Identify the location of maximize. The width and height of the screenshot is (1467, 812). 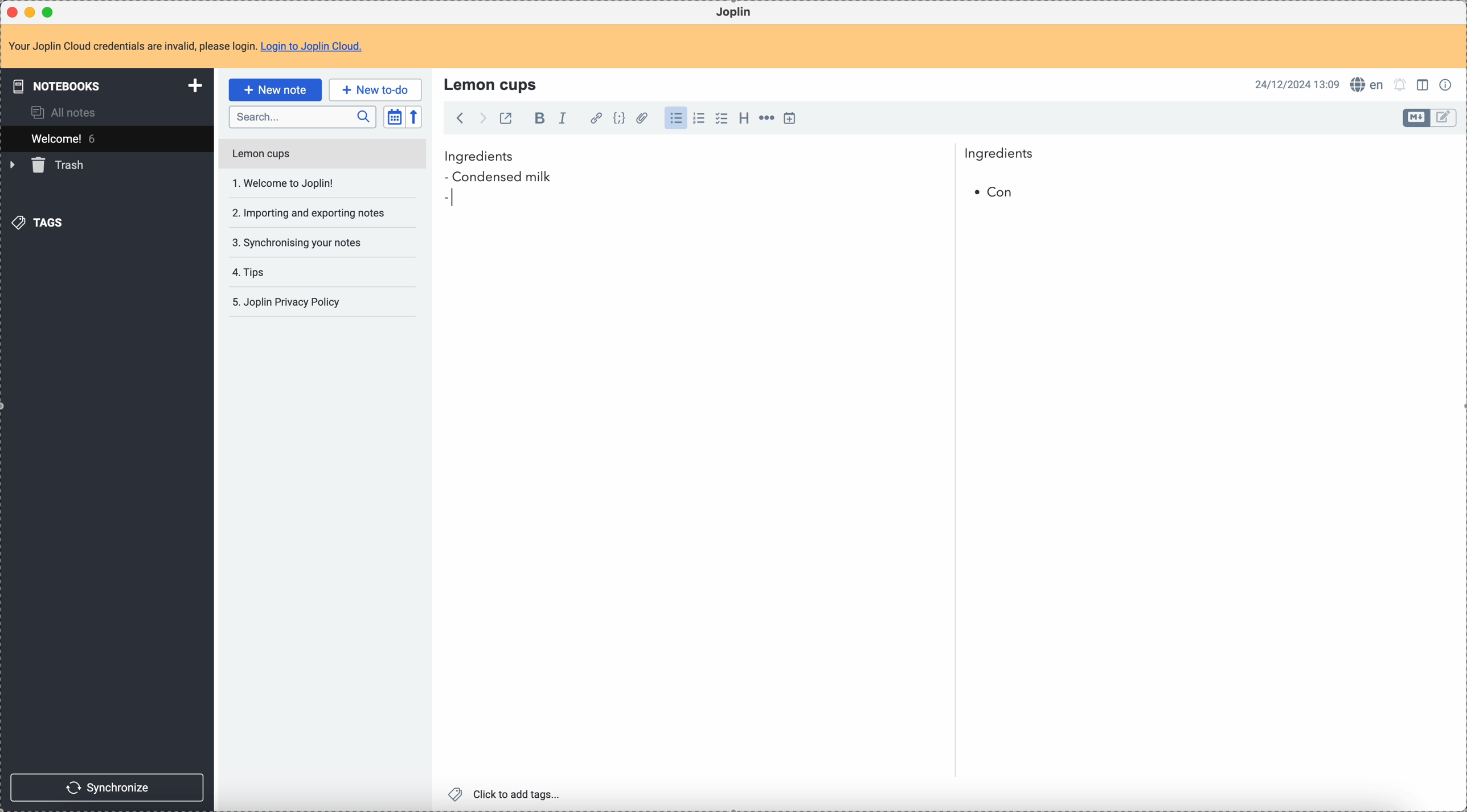
(51, 11).